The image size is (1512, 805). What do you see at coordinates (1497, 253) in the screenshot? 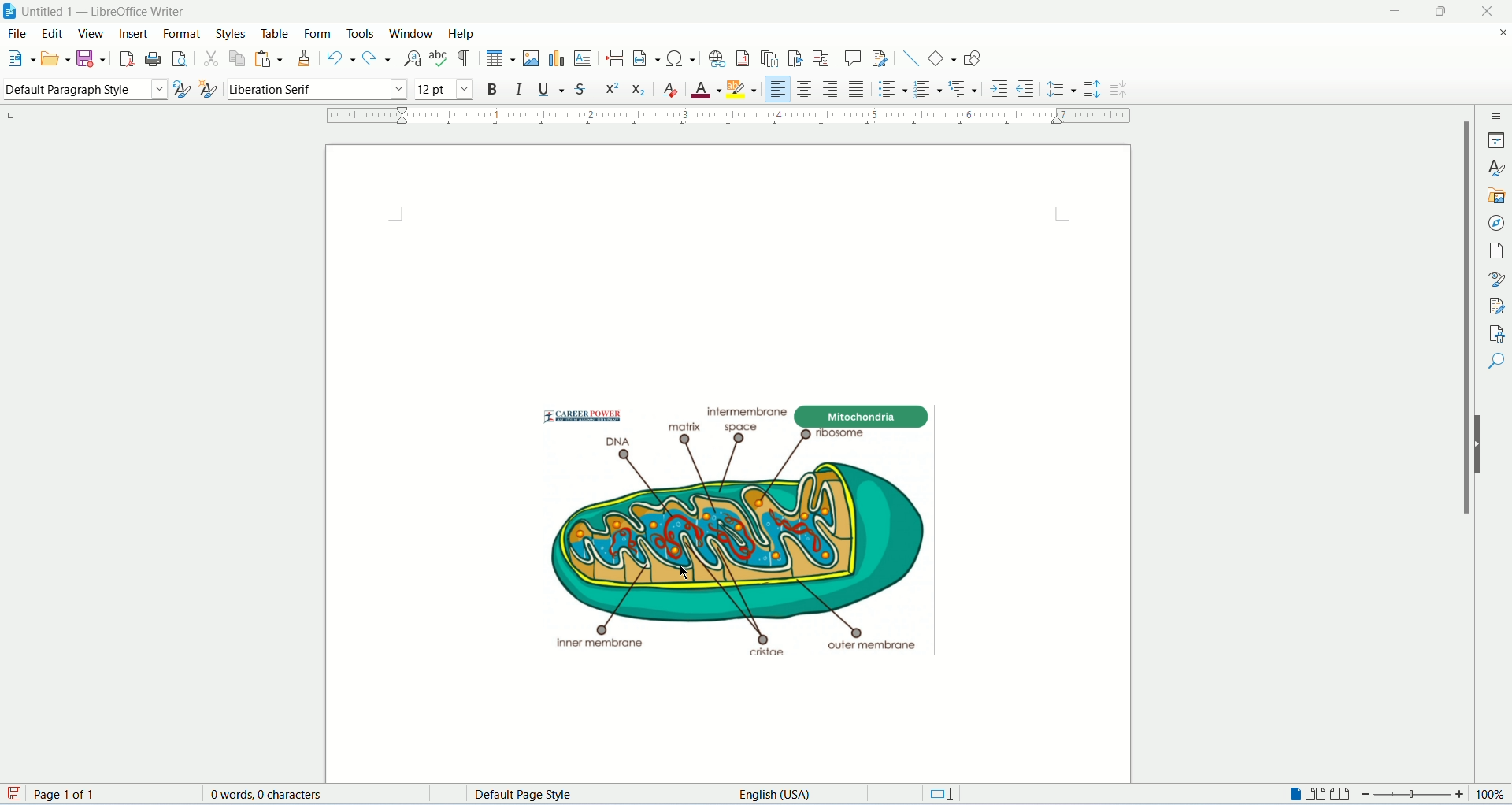
I see `pages` at bounding box center [1497, 253].